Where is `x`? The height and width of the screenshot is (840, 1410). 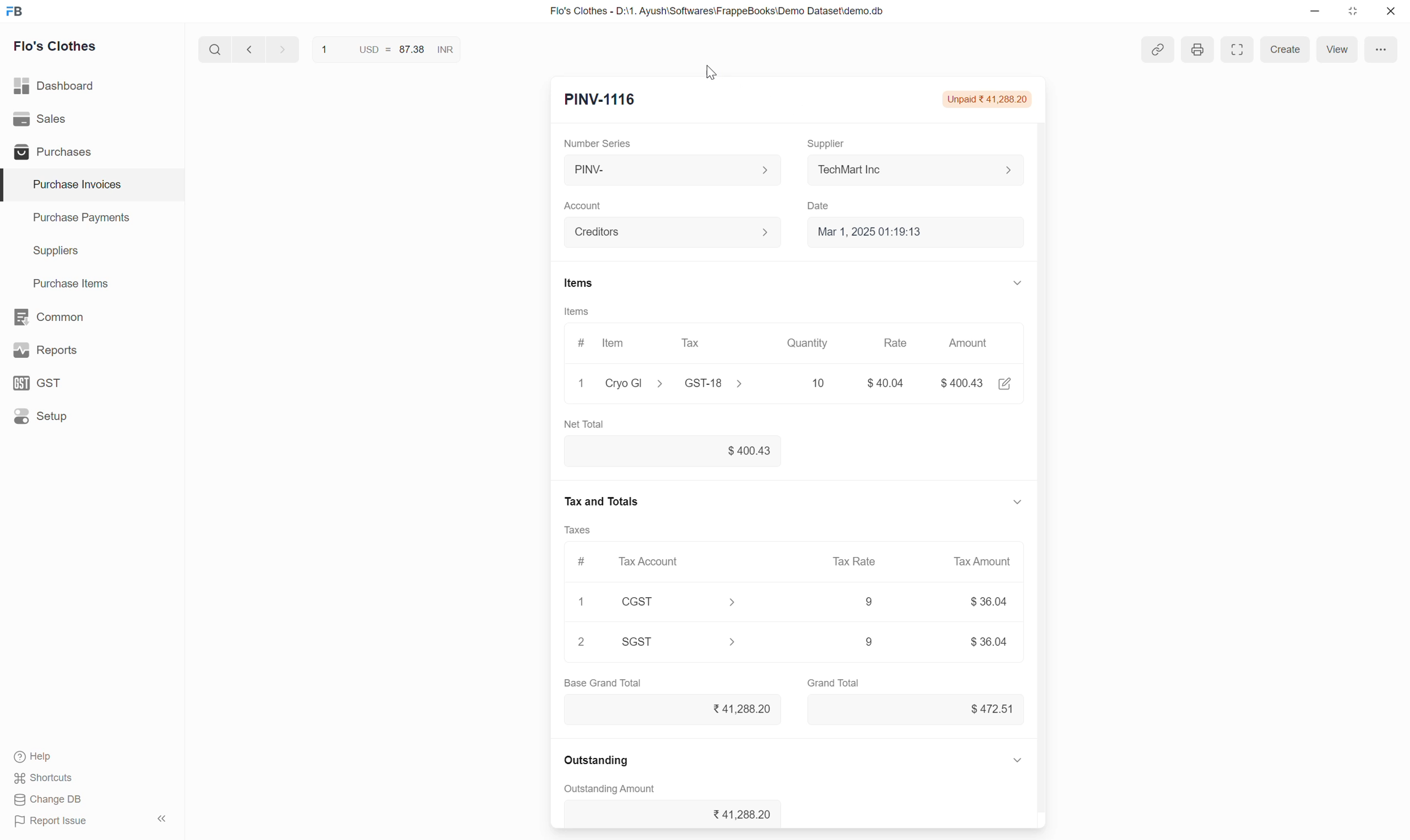 x is located at coordinates (582, 385).